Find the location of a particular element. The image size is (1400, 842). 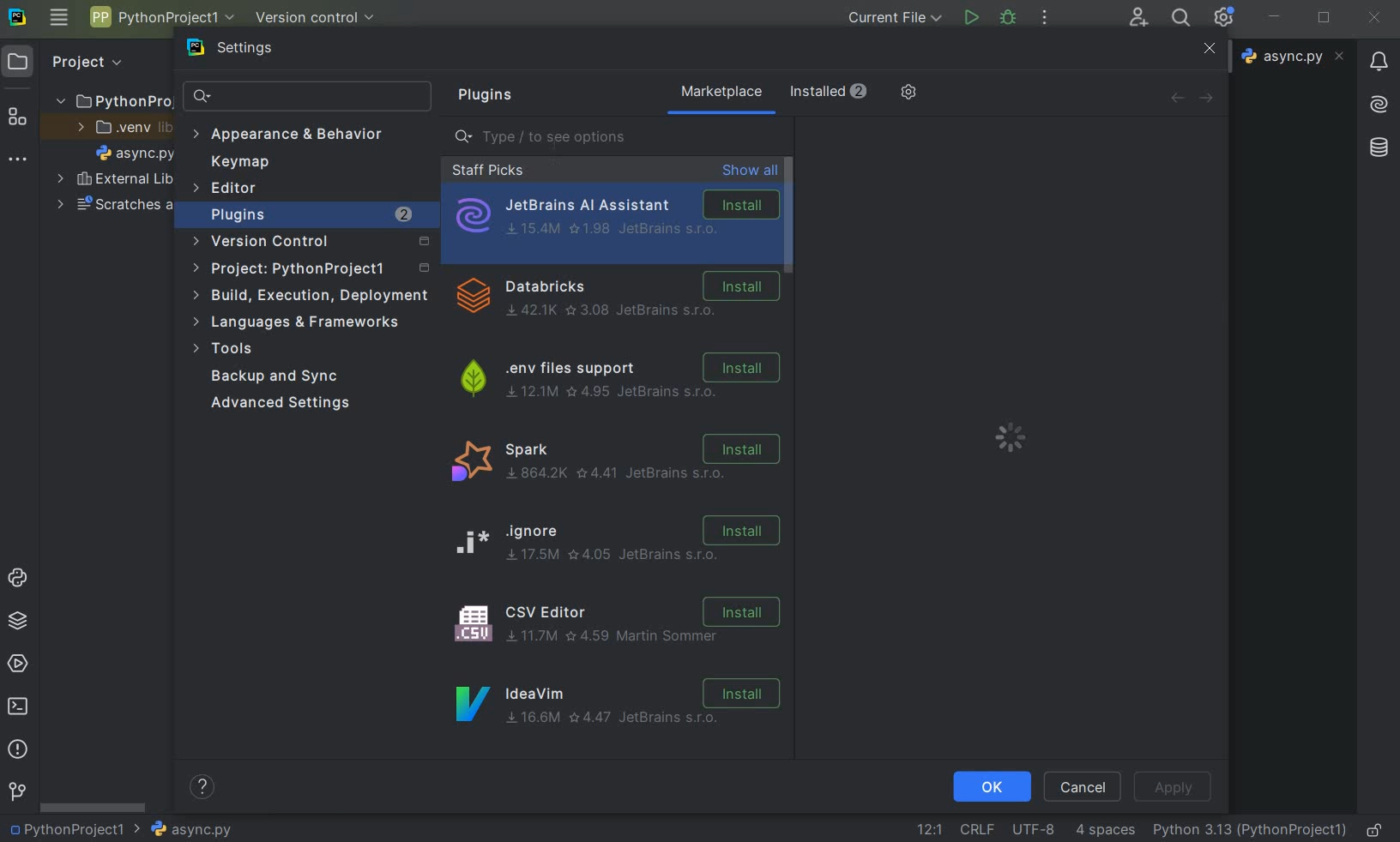

database is located at coordinates (1378, 148).